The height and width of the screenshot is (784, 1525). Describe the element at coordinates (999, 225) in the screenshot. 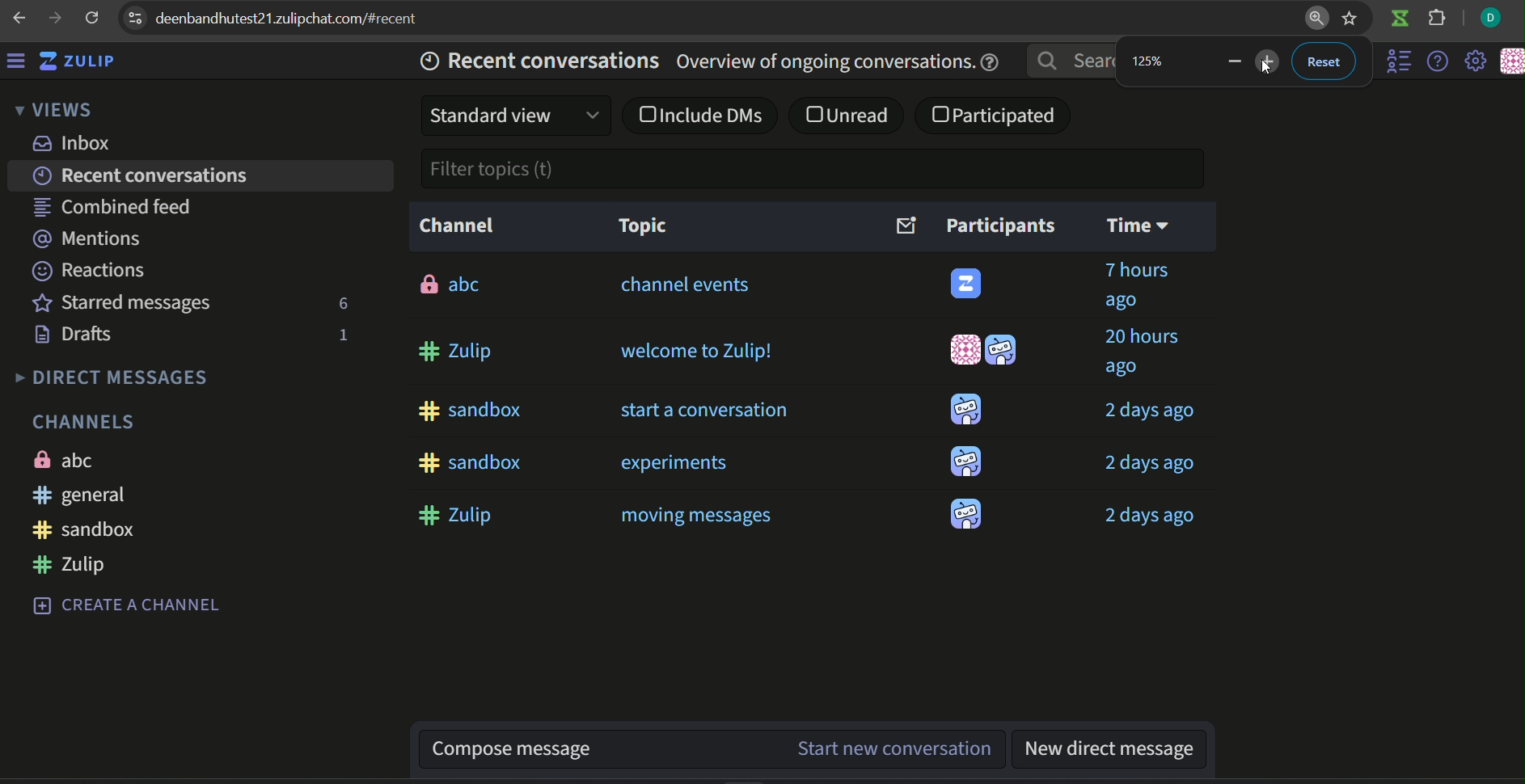

I see `text` at that location.